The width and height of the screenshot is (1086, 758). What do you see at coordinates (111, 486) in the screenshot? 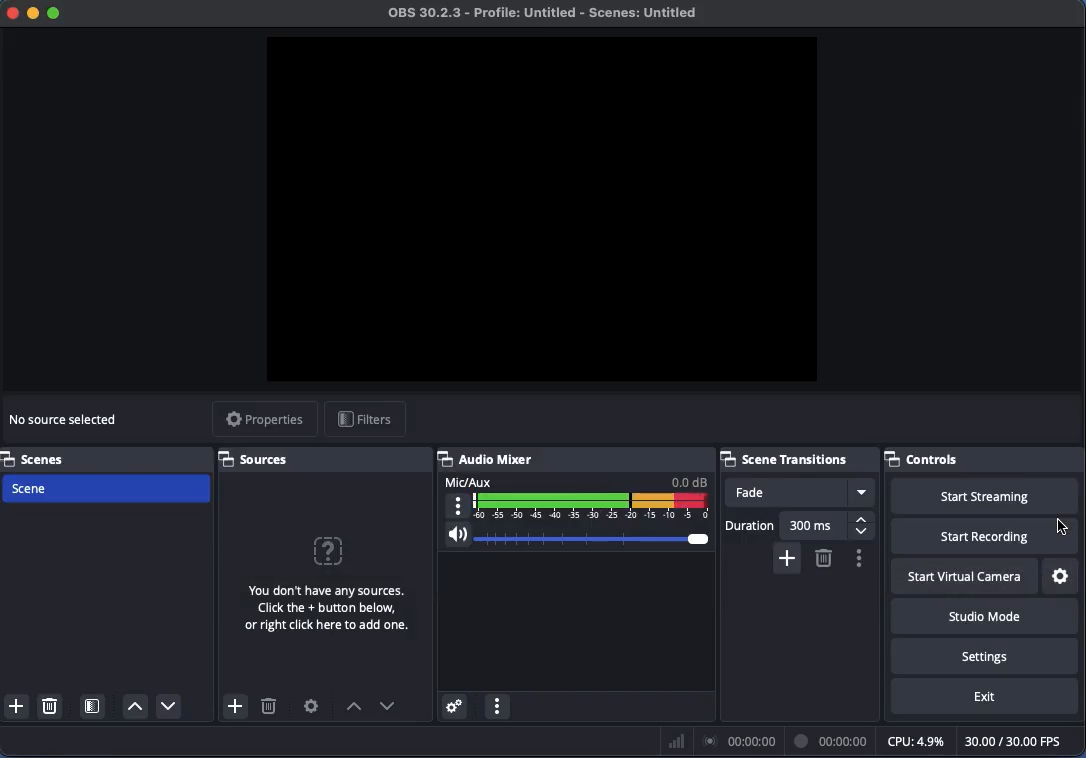
I see `Scene` at bounding box center [111, 486].